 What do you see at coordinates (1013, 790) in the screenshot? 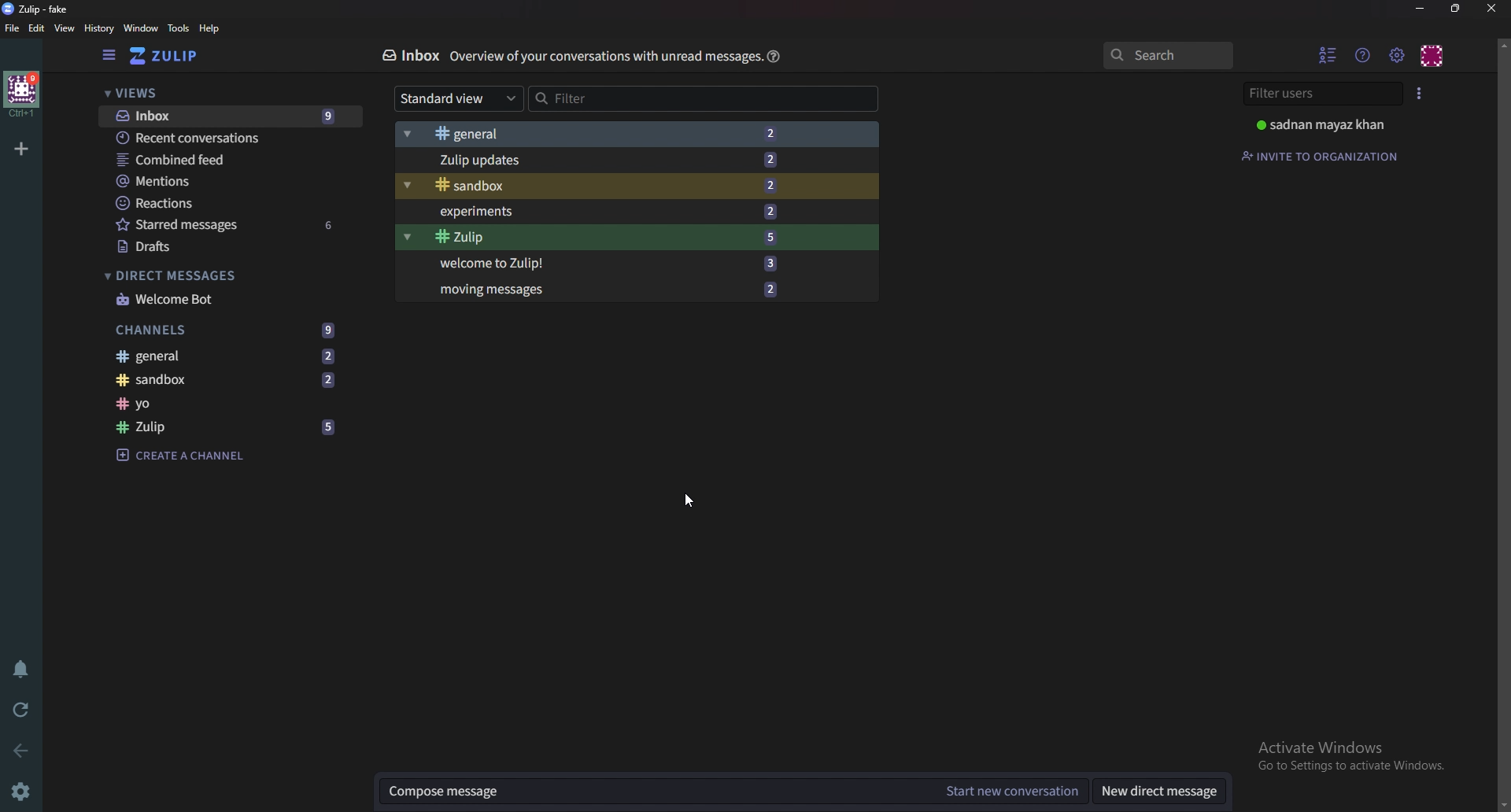
I see `Start new conversation` at bounding box center [1013, 790].